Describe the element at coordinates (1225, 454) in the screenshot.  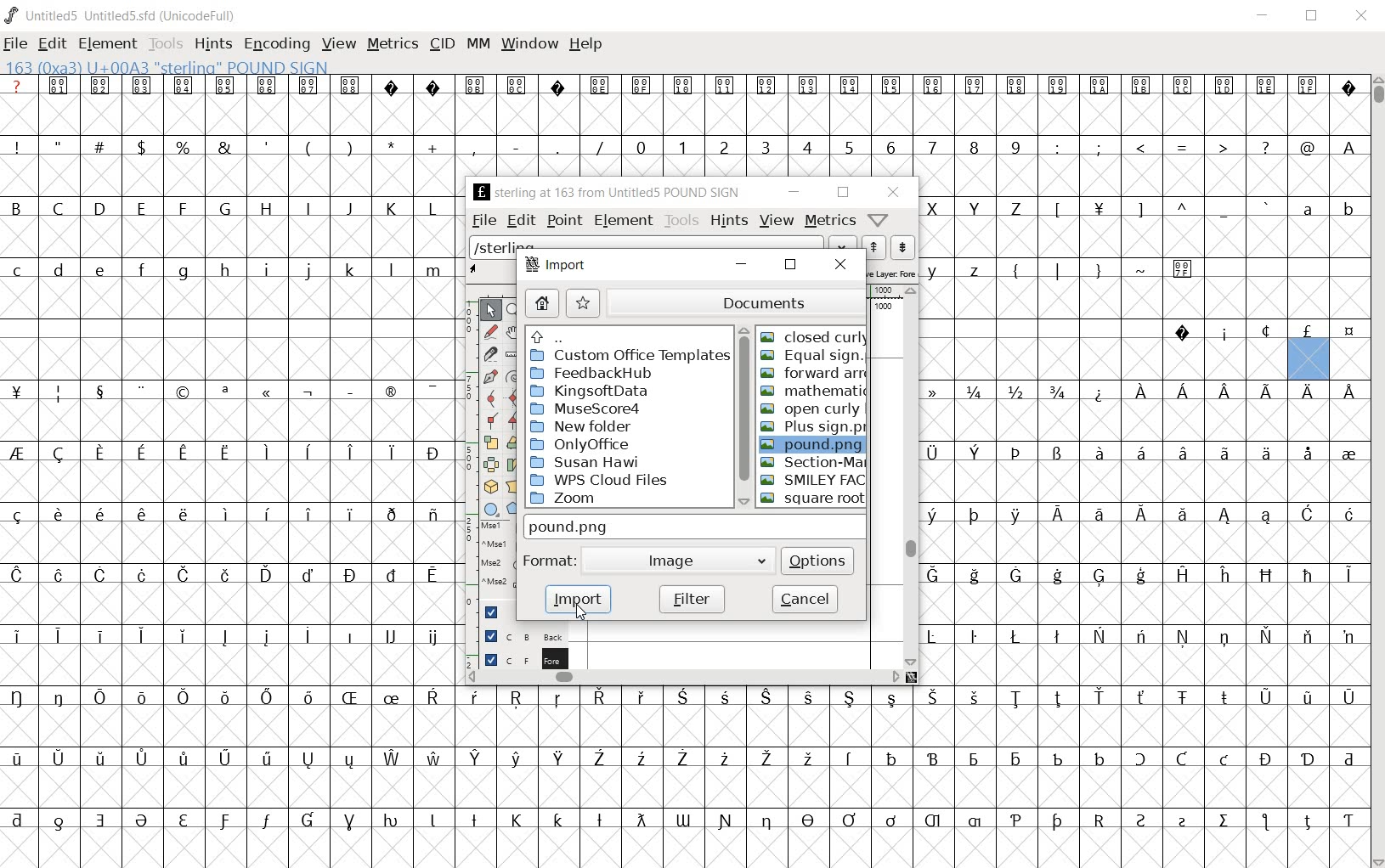
I see `Symbol` at that location.